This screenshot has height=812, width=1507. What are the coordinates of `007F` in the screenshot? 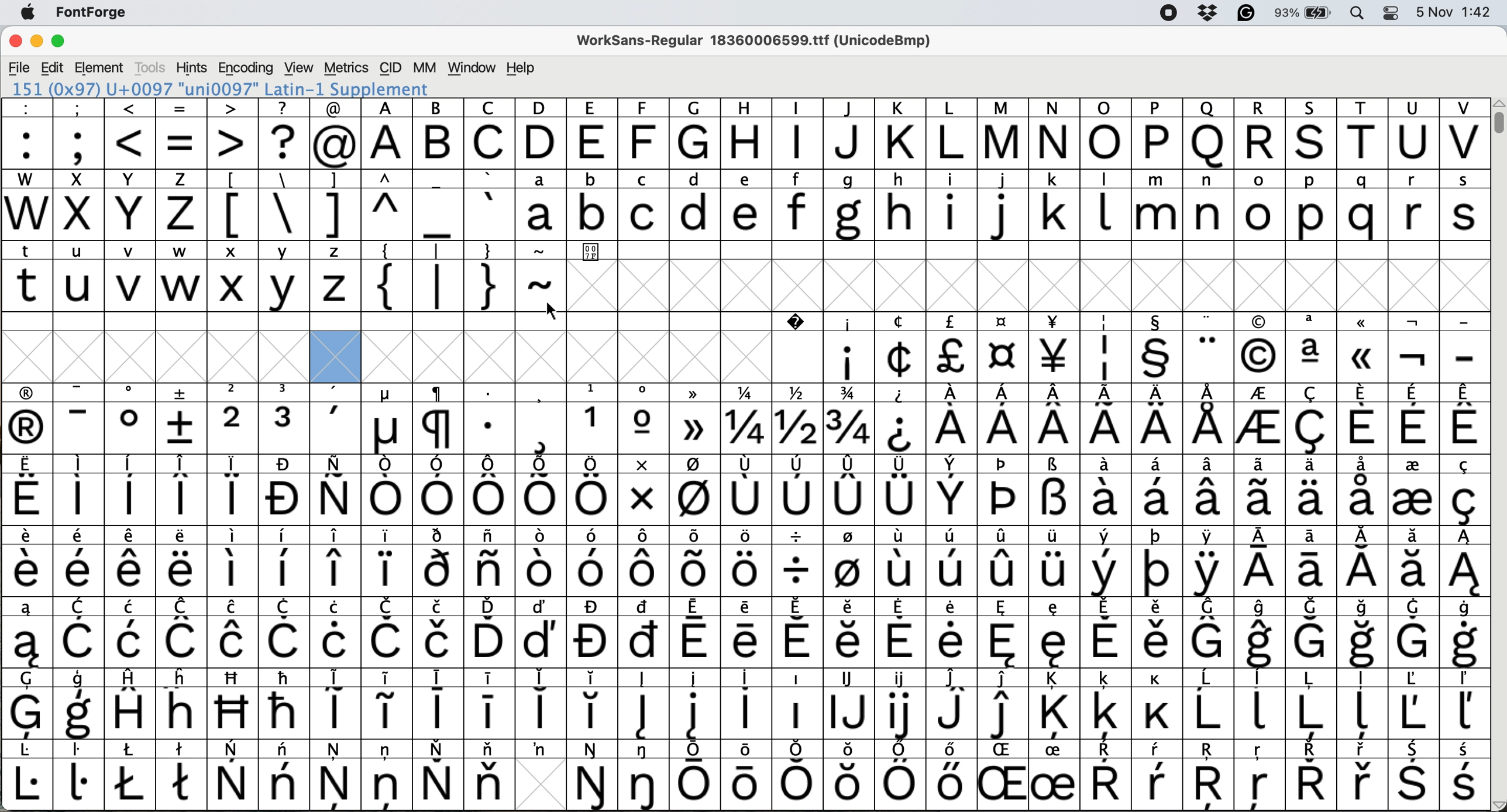 It's located at (591, 253).